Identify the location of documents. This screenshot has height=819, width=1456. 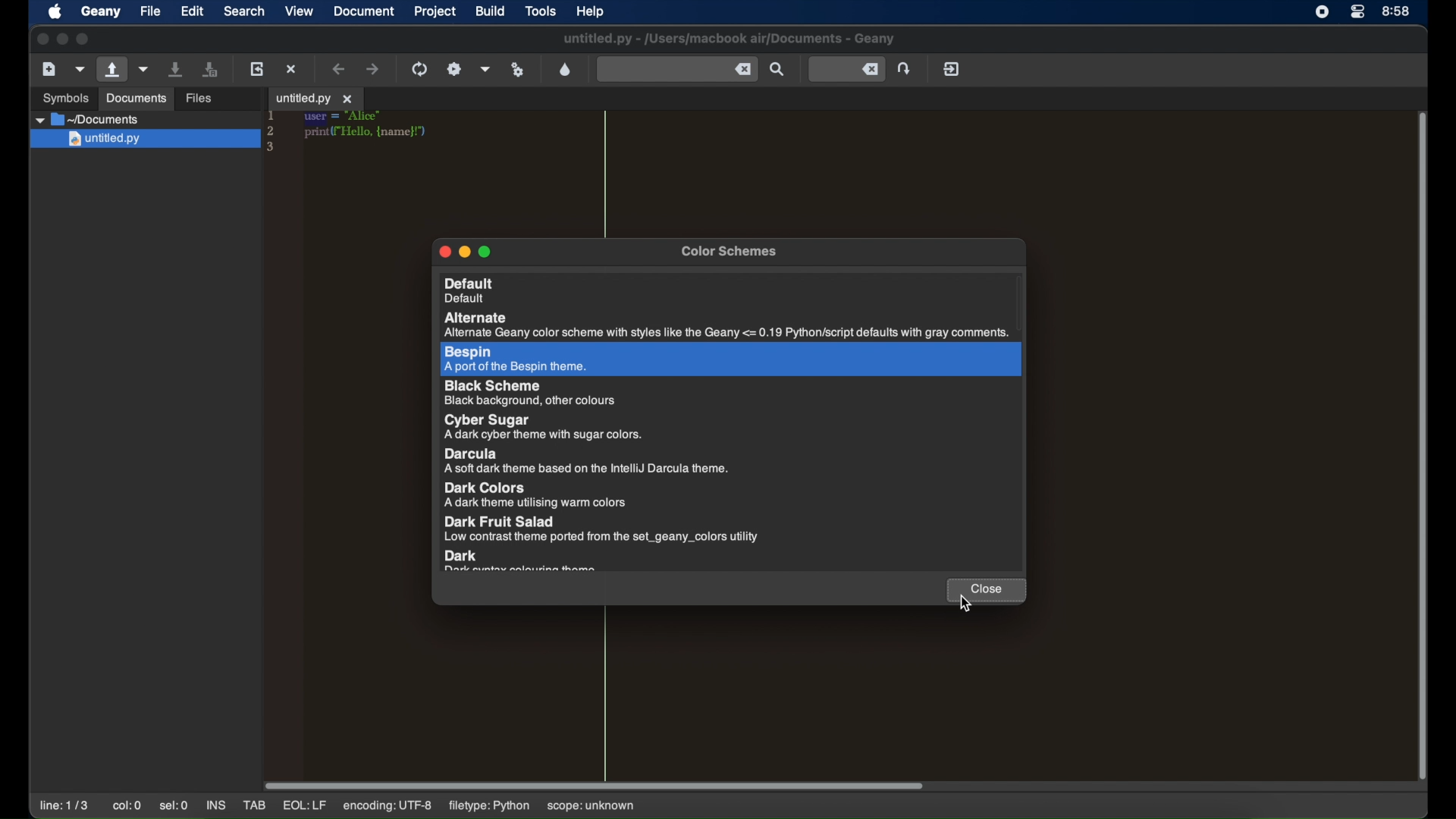
(136, 99).